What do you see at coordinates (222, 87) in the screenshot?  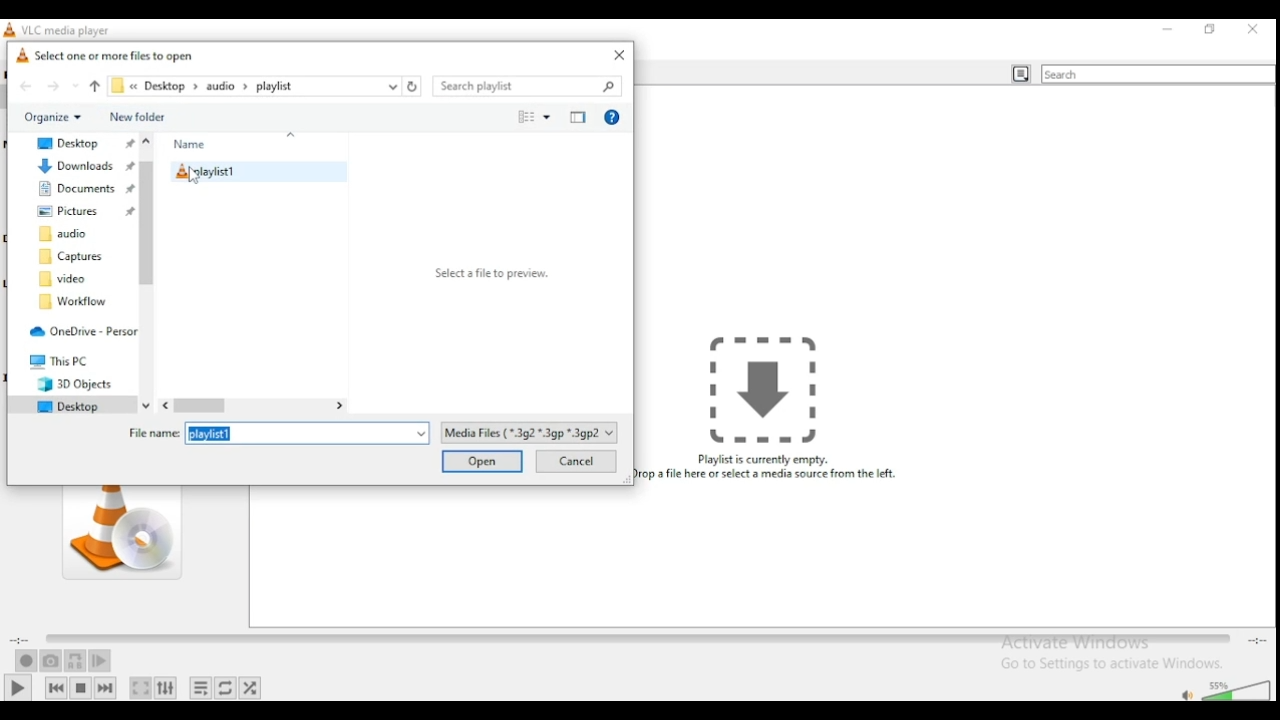 I see `audio` at bounding box center [222, 87].